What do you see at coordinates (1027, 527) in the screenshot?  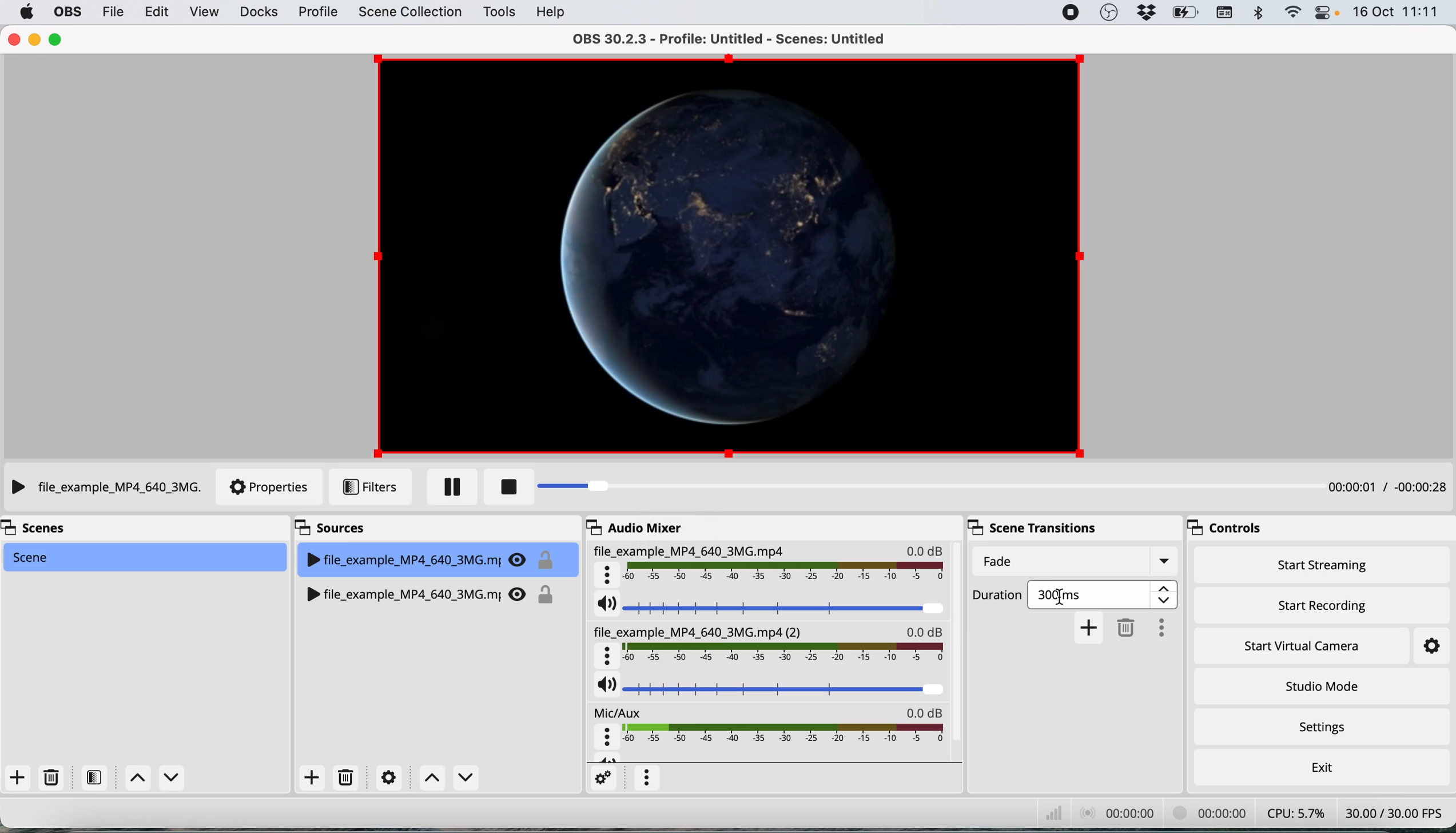 I see `scene transitions` at bounding box center [1027, 527].